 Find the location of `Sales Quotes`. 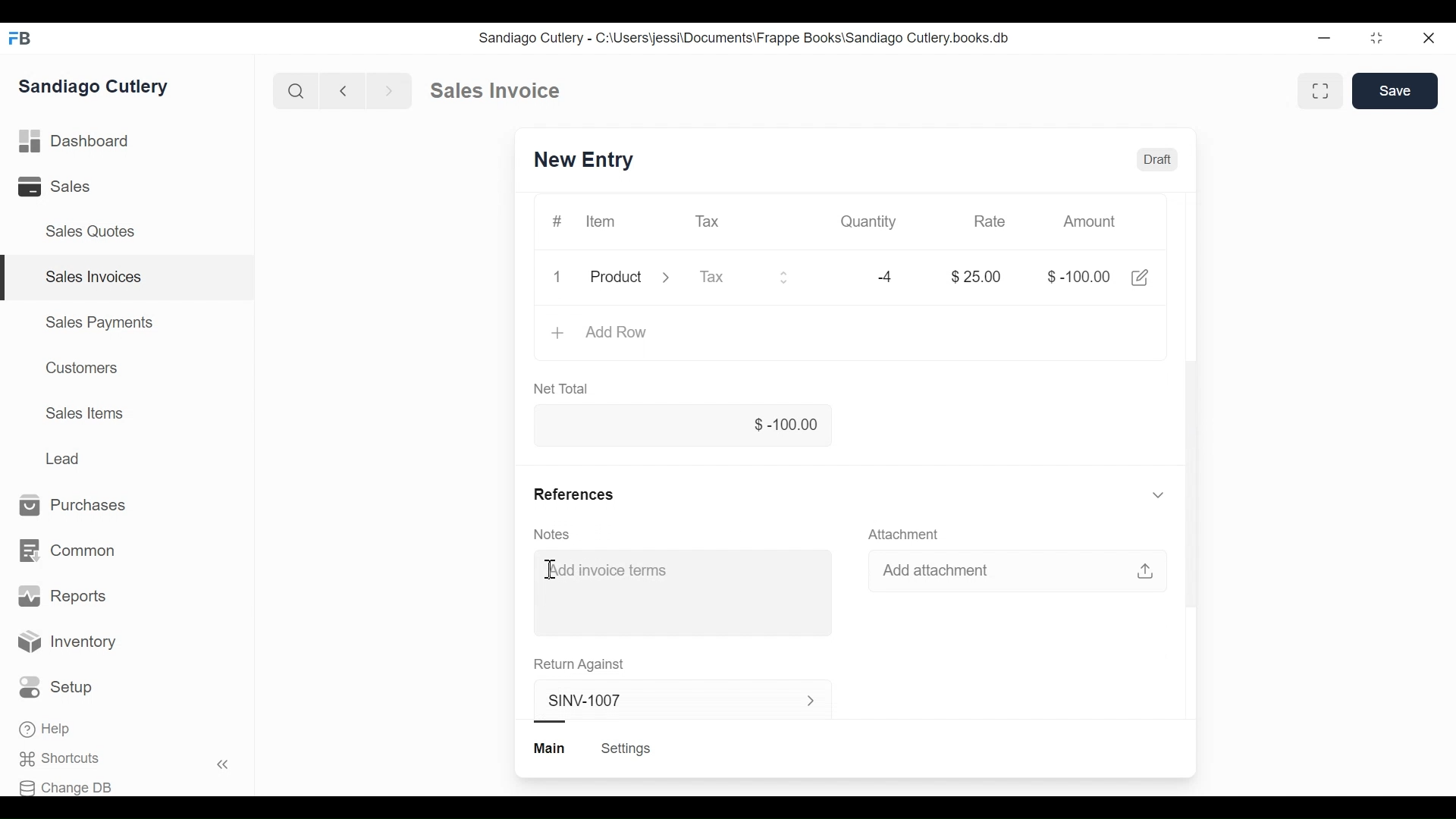

Sales Quotes is located at coordinates (93, 231).